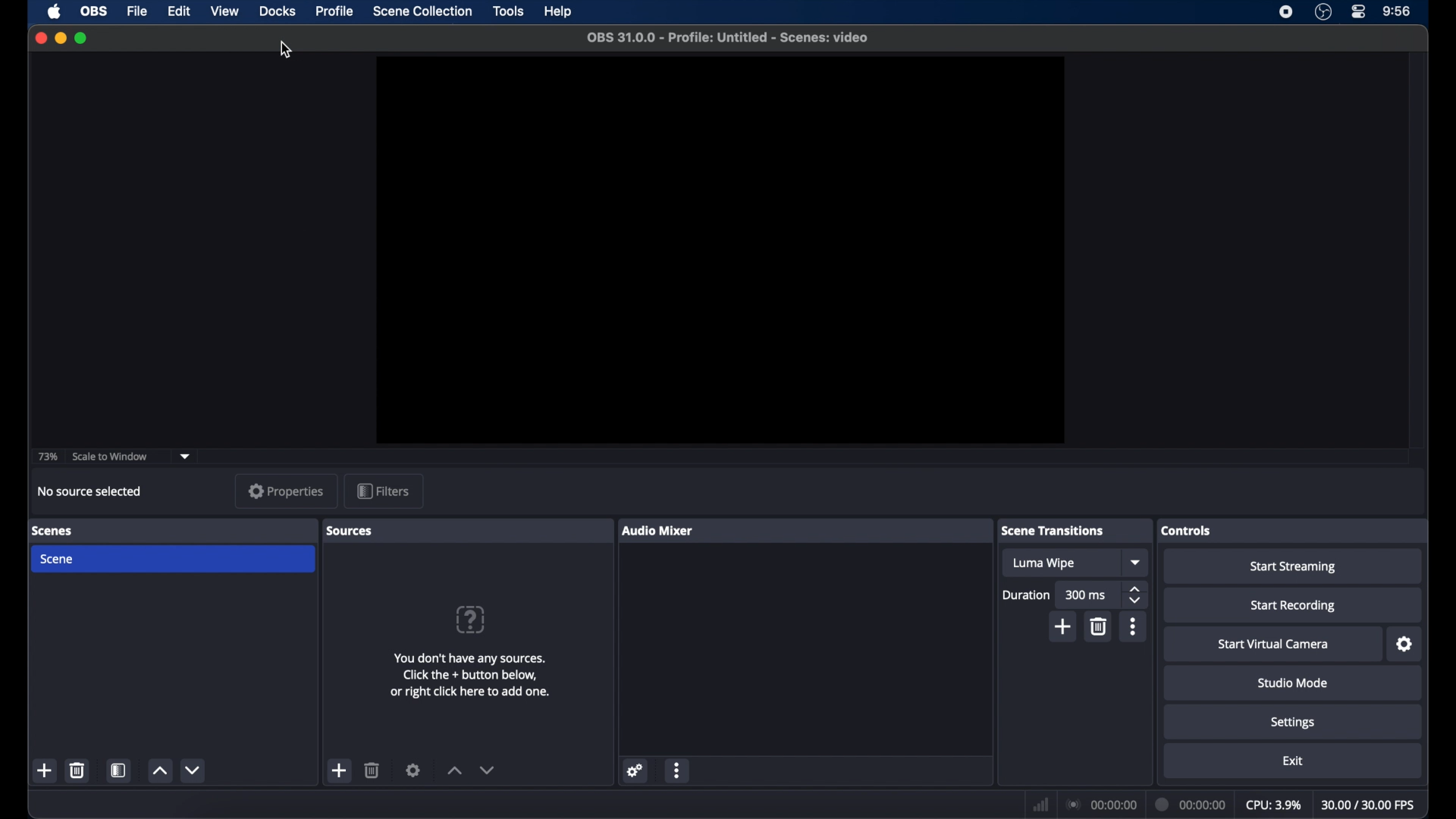 The width and height of the screenshot is (1456, 819). What do you see at coordinates (285, 50) in the screenshot?
I see `cursor` at bounding box center [285, 50].